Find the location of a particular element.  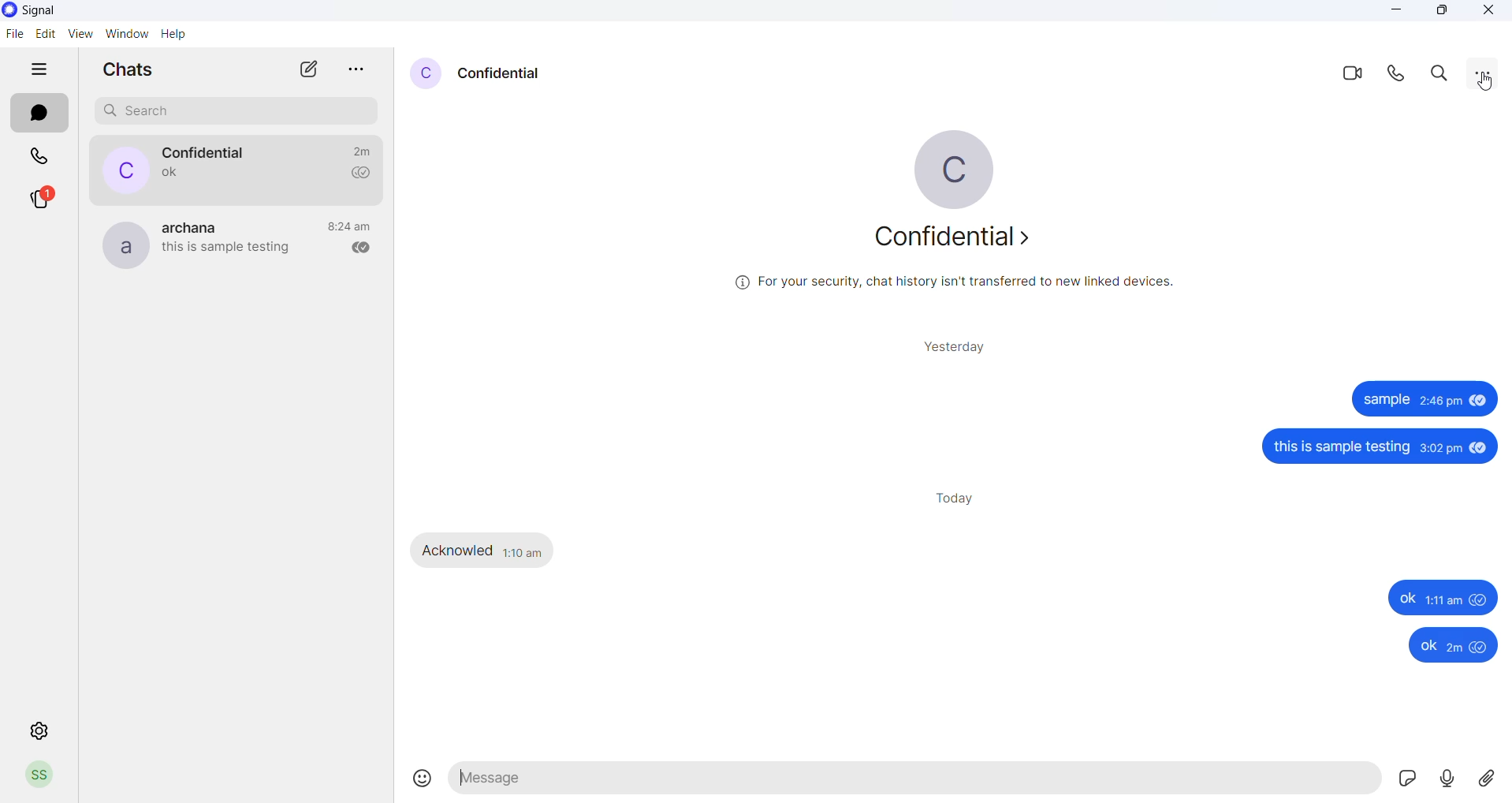

last message is located at coordinates (226, 251).